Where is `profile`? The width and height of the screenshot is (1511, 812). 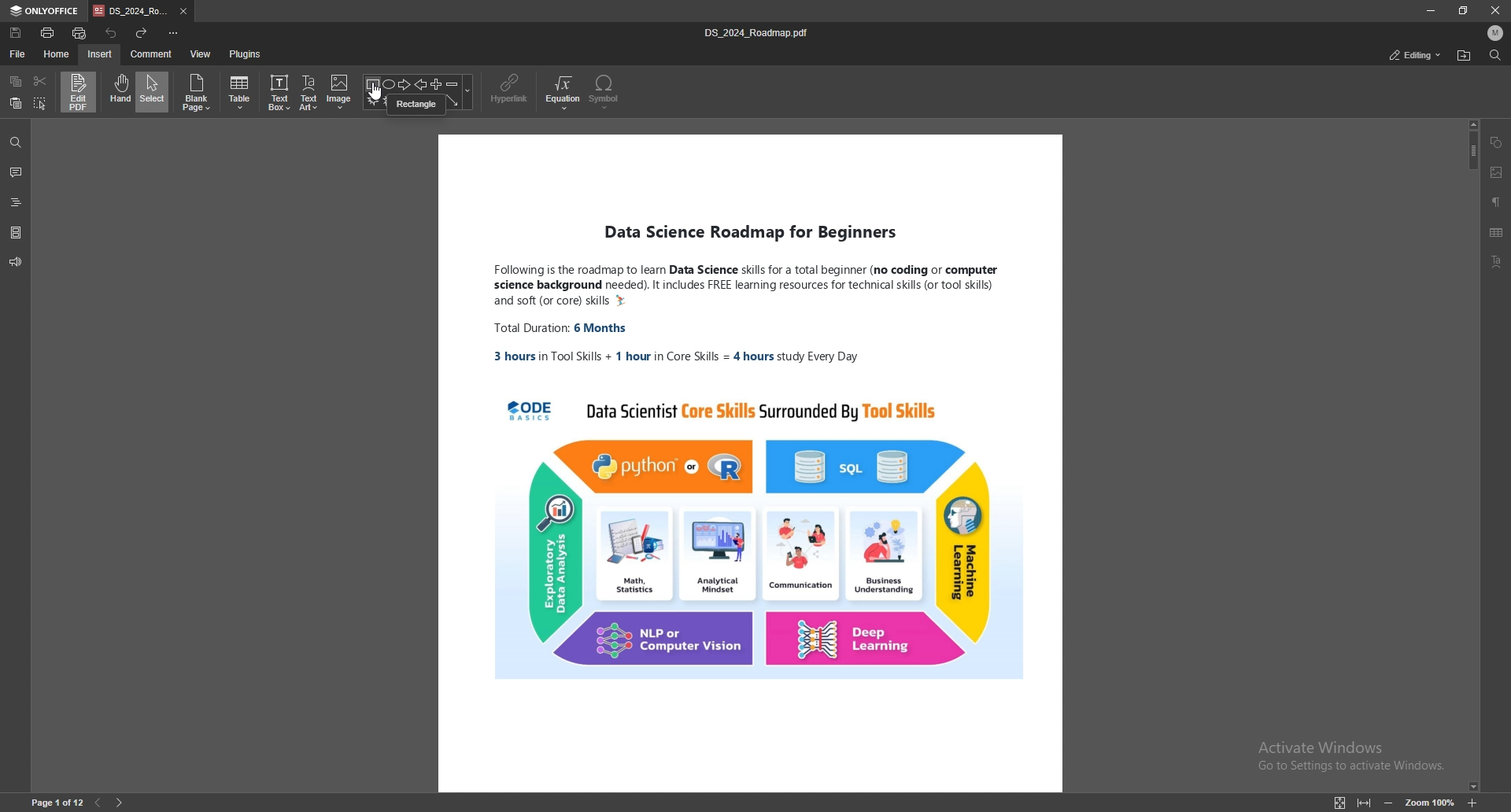 profile is located at coordinates (1496, 33).